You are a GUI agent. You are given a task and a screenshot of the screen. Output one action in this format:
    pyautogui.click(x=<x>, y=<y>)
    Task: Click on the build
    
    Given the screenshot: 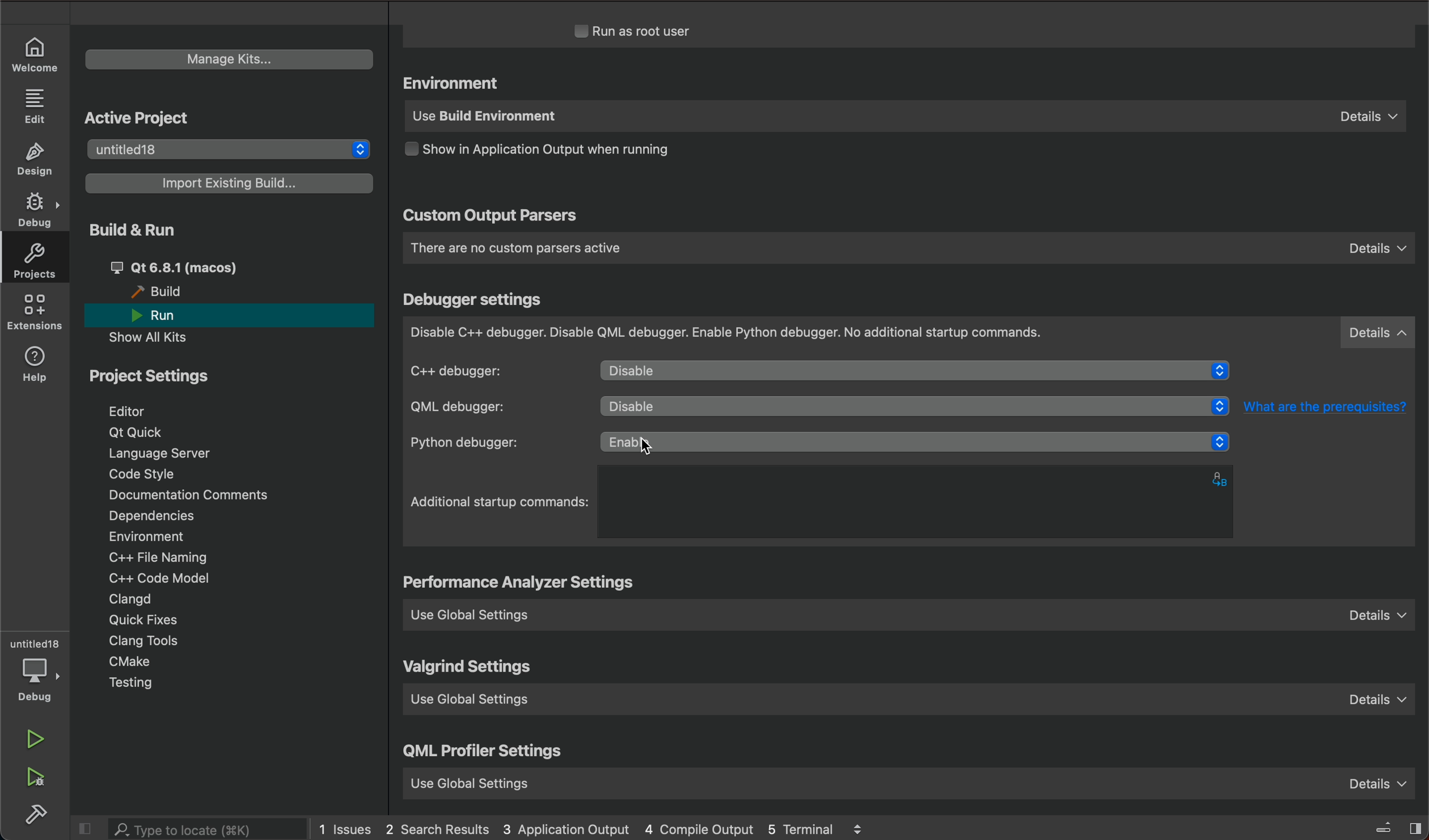 What is the action you would take?
    pyautogui.click(x=163, y=292)
    